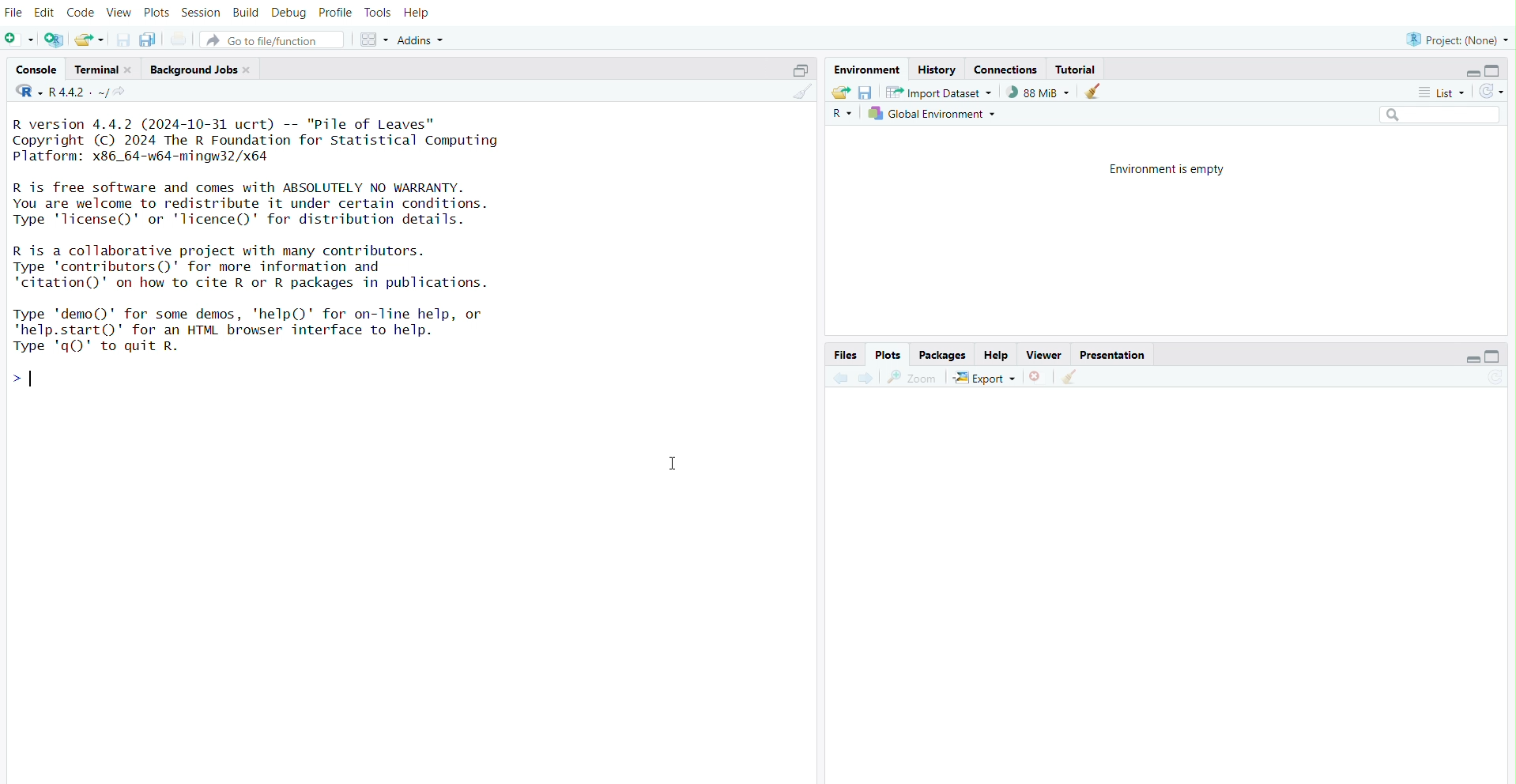  Describe the element at coordinates (289, 138) in the screenshot. I see `version of R` at that location.